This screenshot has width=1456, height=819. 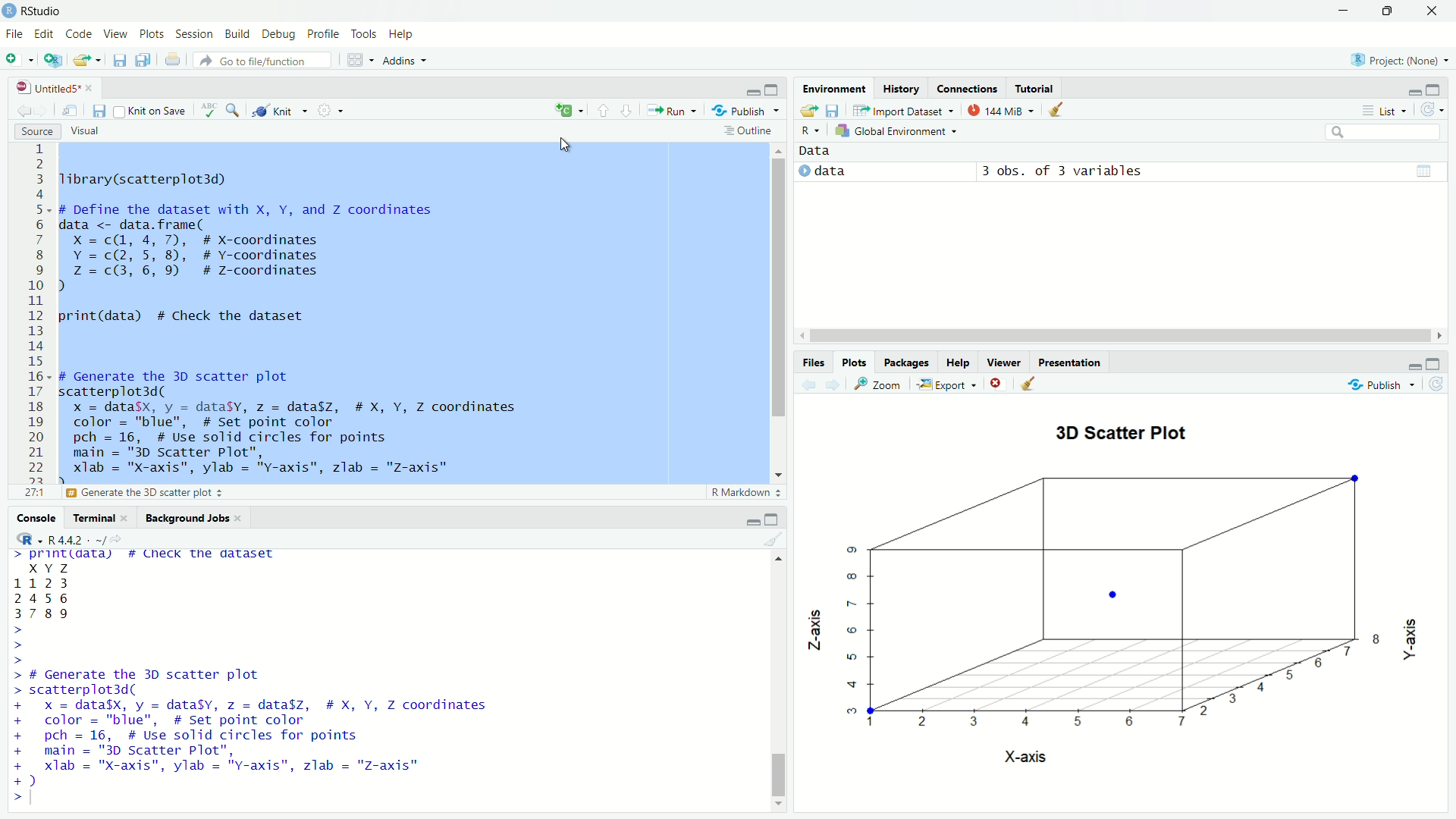 What do you see at coordinates (968, 86) in the screenshot?
I see `connections` at bounding box center [968, 86].